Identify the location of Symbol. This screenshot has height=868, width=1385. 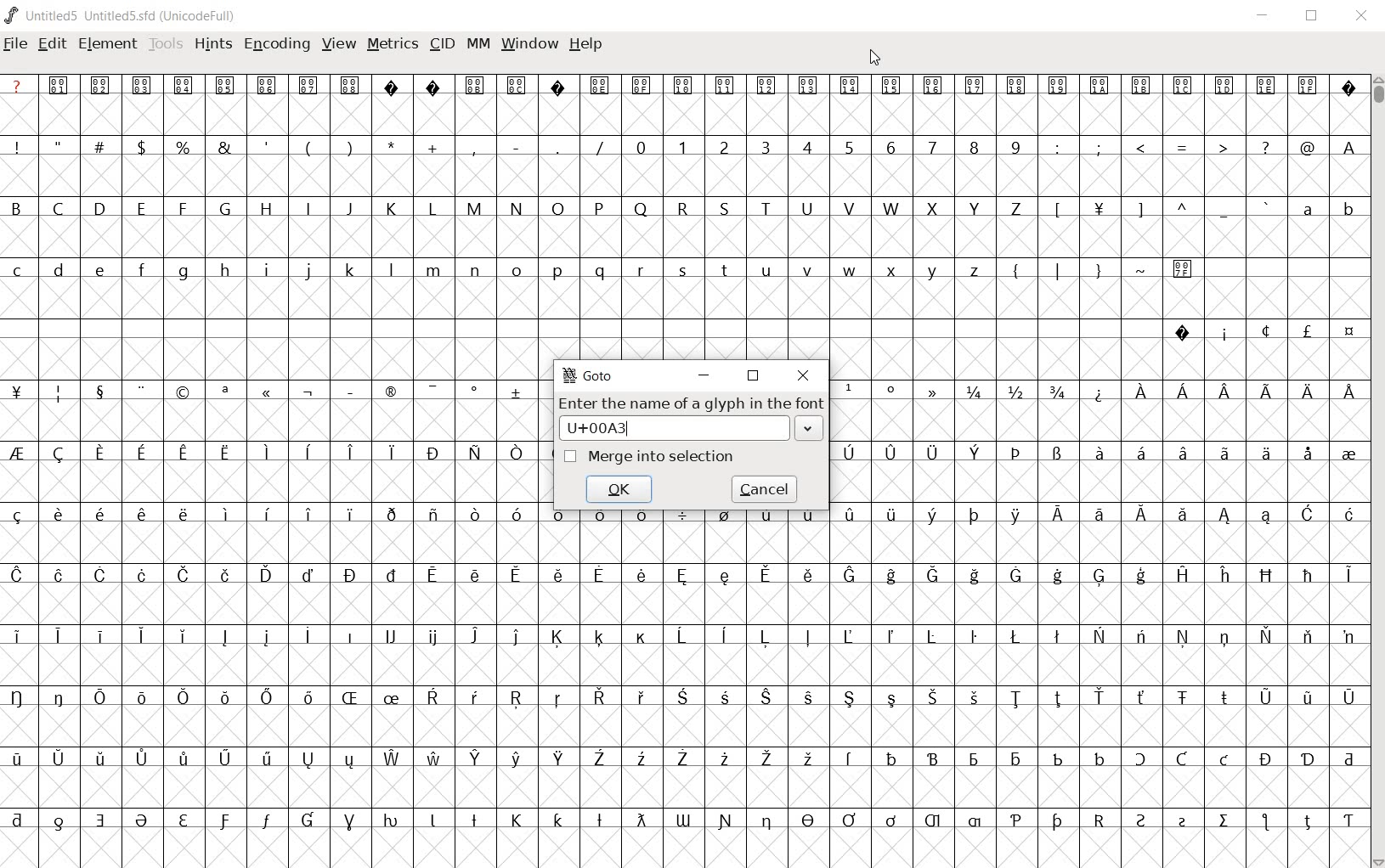
(309, 85).